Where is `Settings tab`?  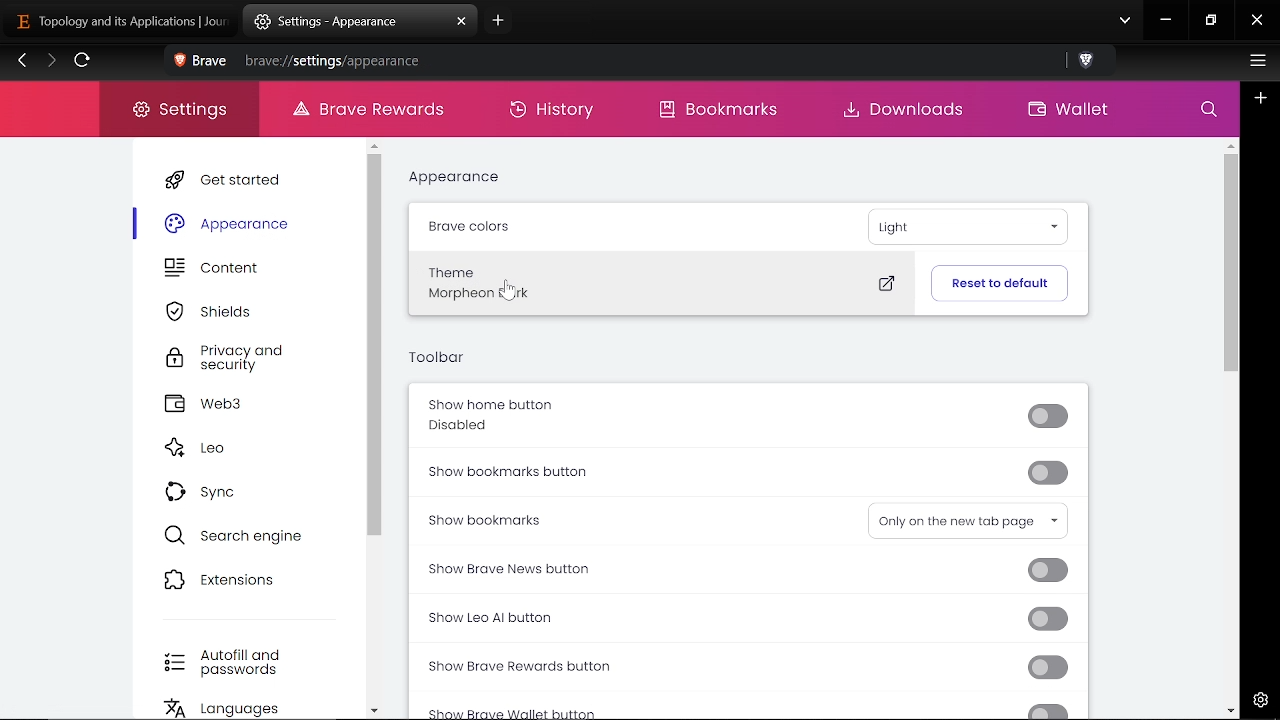
Settings tab is located at coordinates (344, 22).